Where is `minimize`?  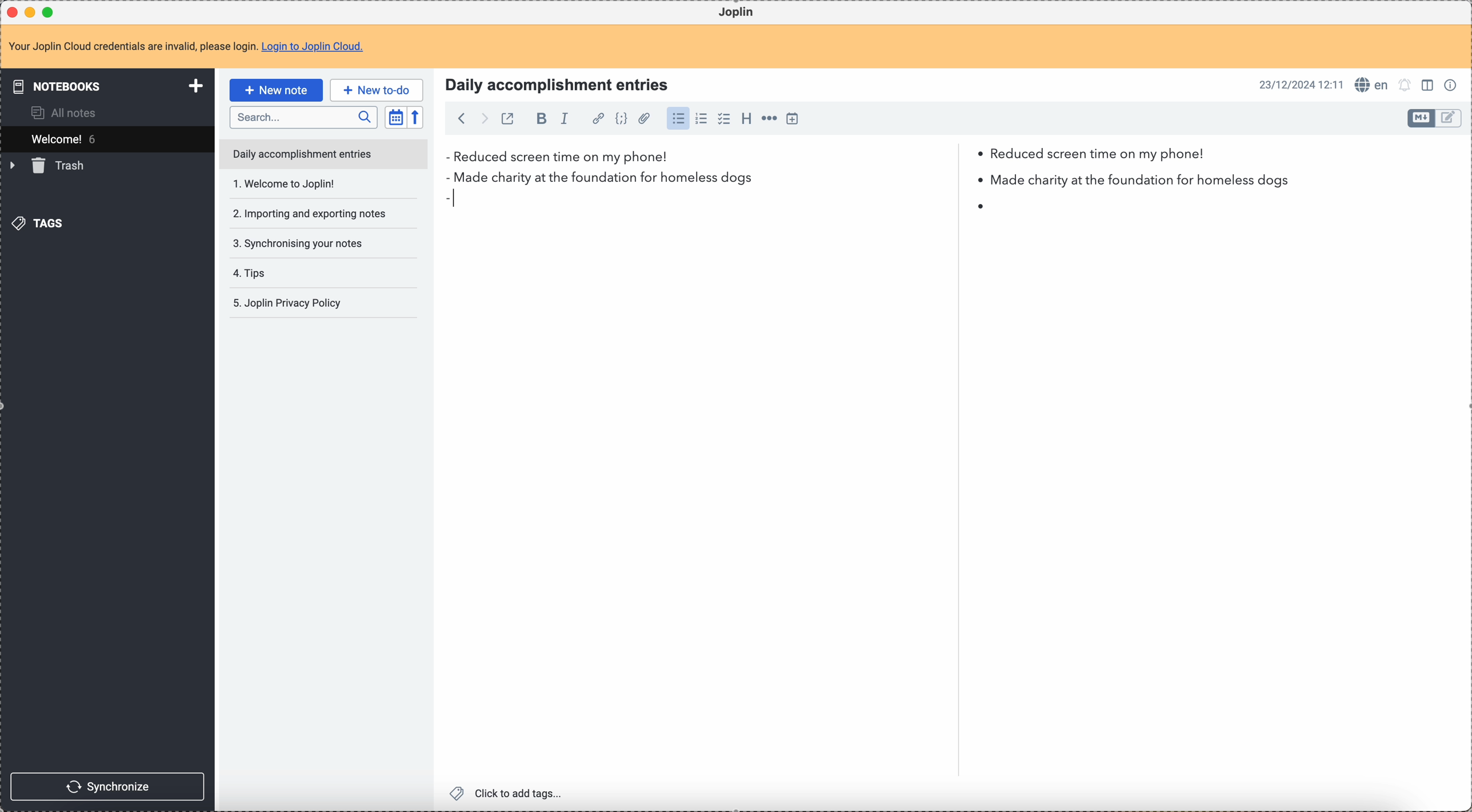
minimize is located at coordinates (33, 11).